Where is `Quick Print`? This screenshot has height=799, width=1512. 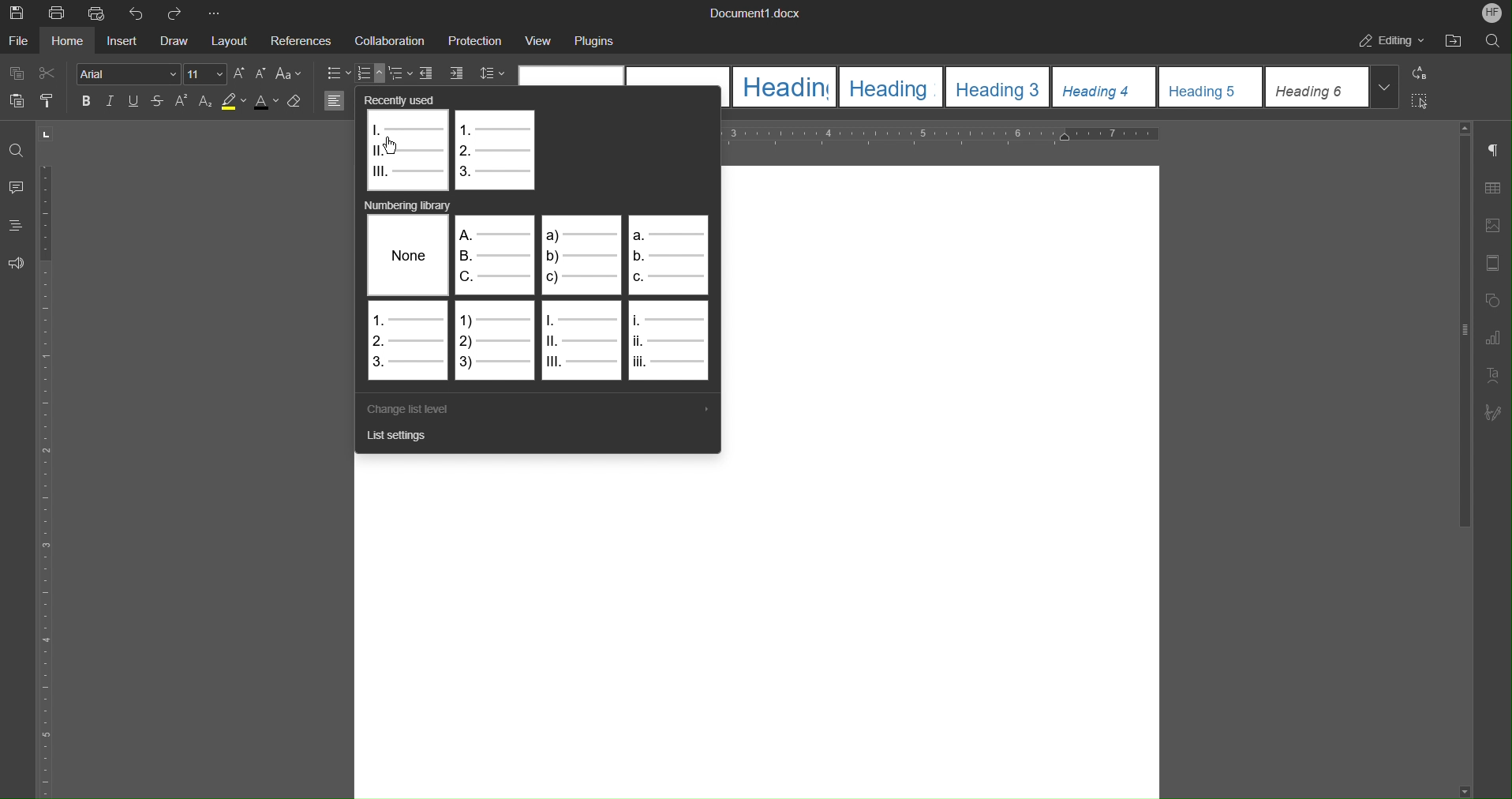
Quick Print is located at coordinates (99, 13).